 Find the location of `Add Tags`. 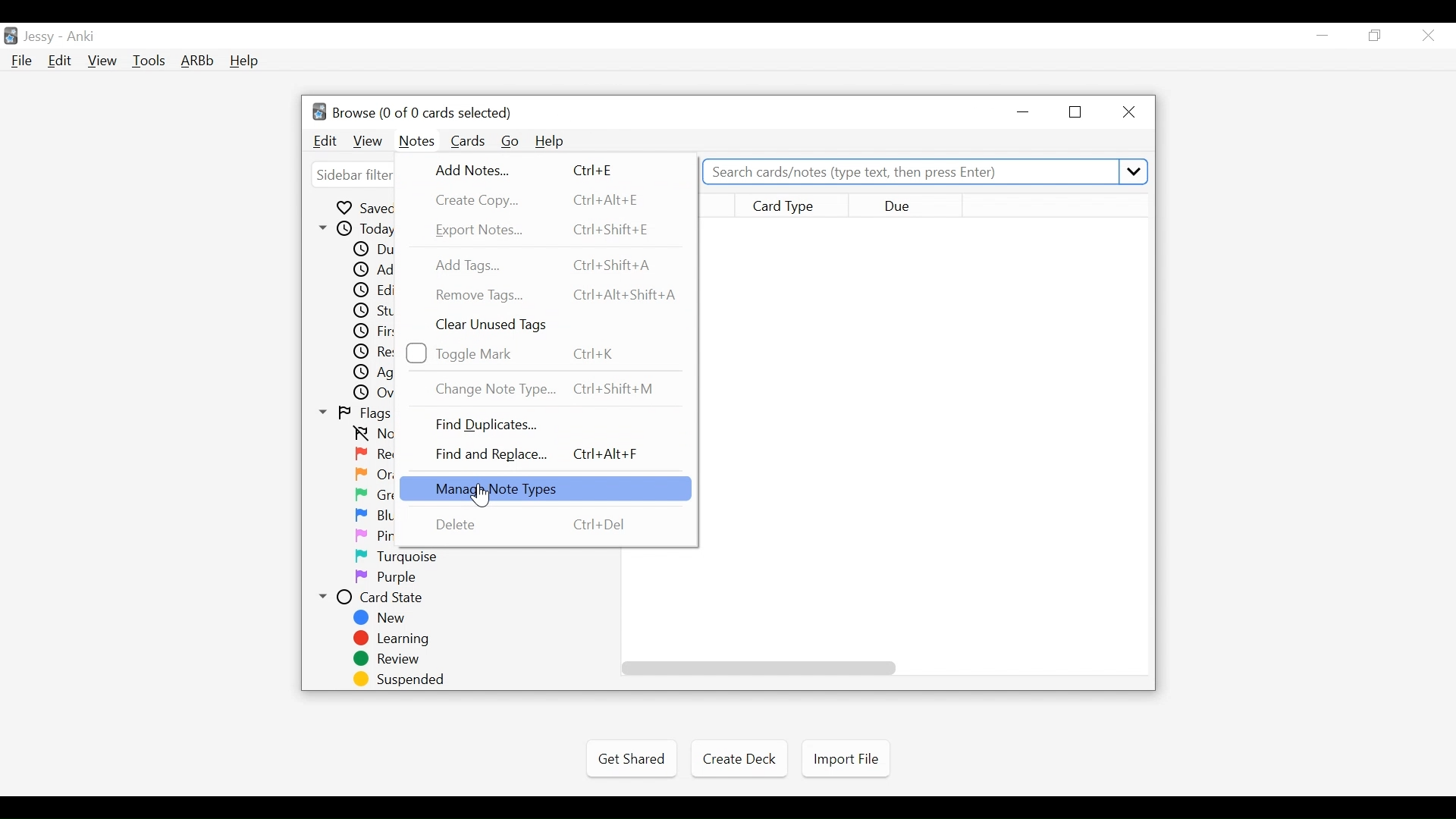

Add Tags is located at coordinates (549, 264).